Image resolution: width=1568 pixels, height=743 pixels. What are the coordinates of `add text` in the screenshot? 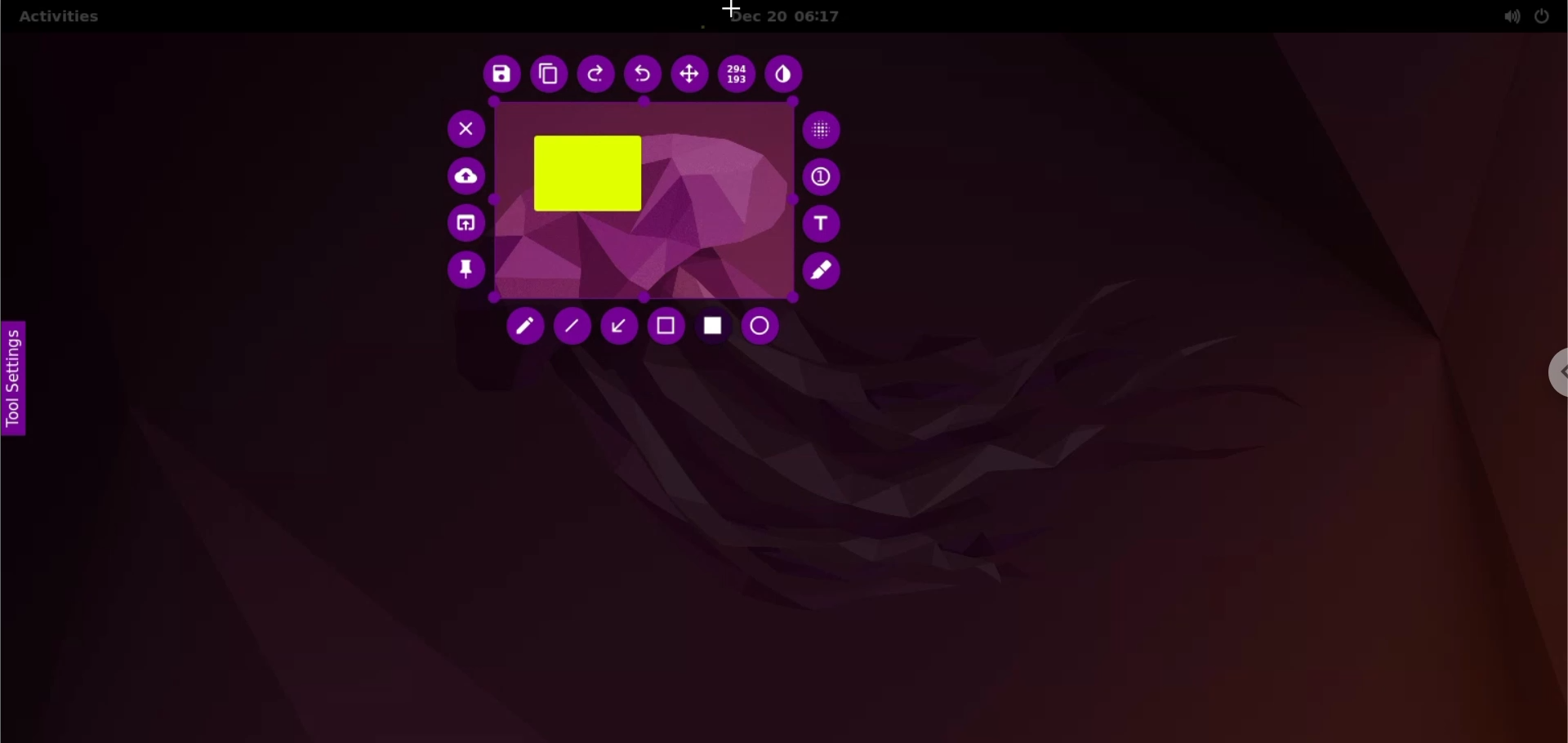 It's located at (824, 224).